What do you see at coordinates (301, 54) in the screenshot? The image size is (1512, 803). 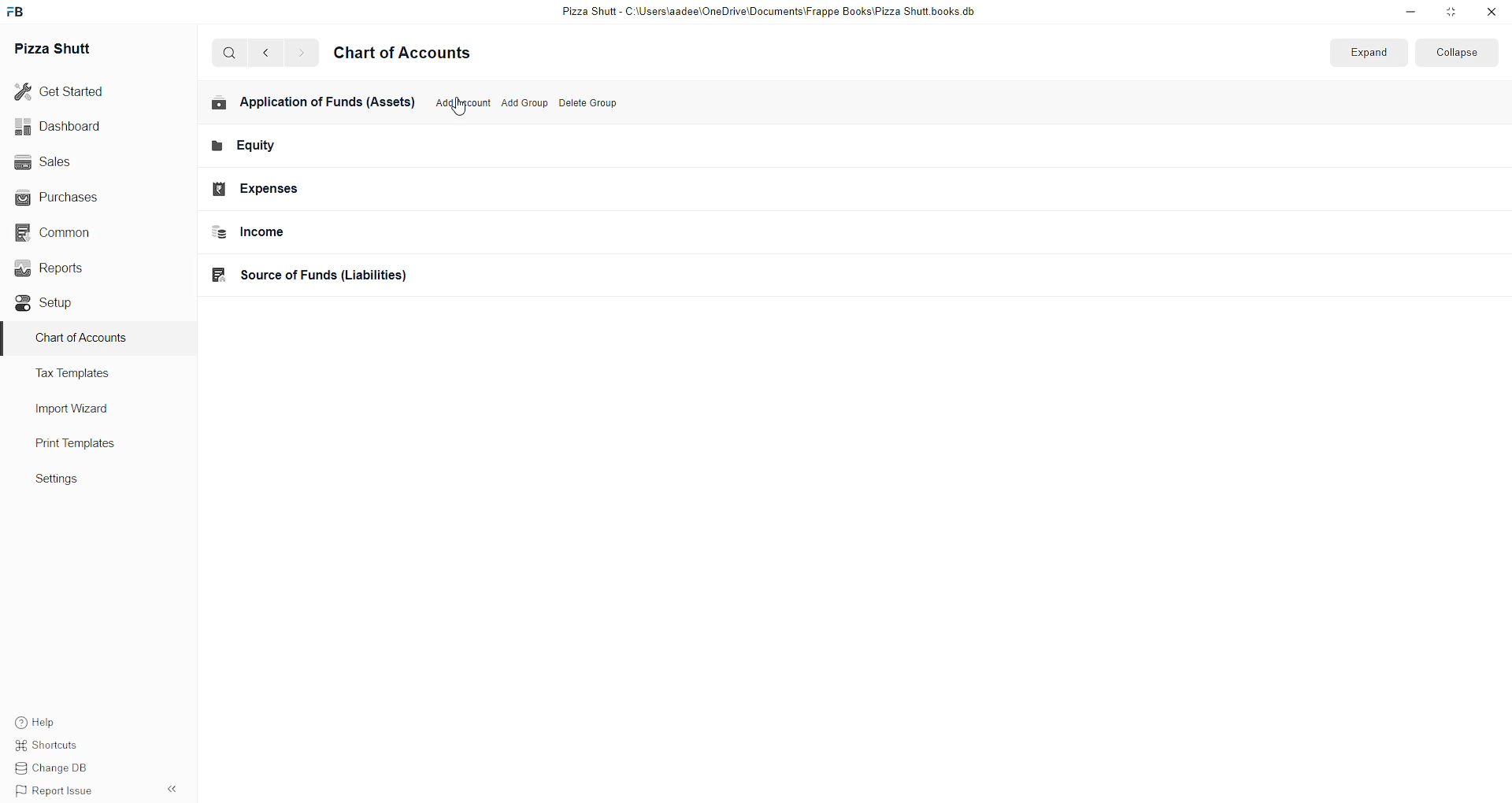 I see `go forward ` at bounding box center [301, 54].